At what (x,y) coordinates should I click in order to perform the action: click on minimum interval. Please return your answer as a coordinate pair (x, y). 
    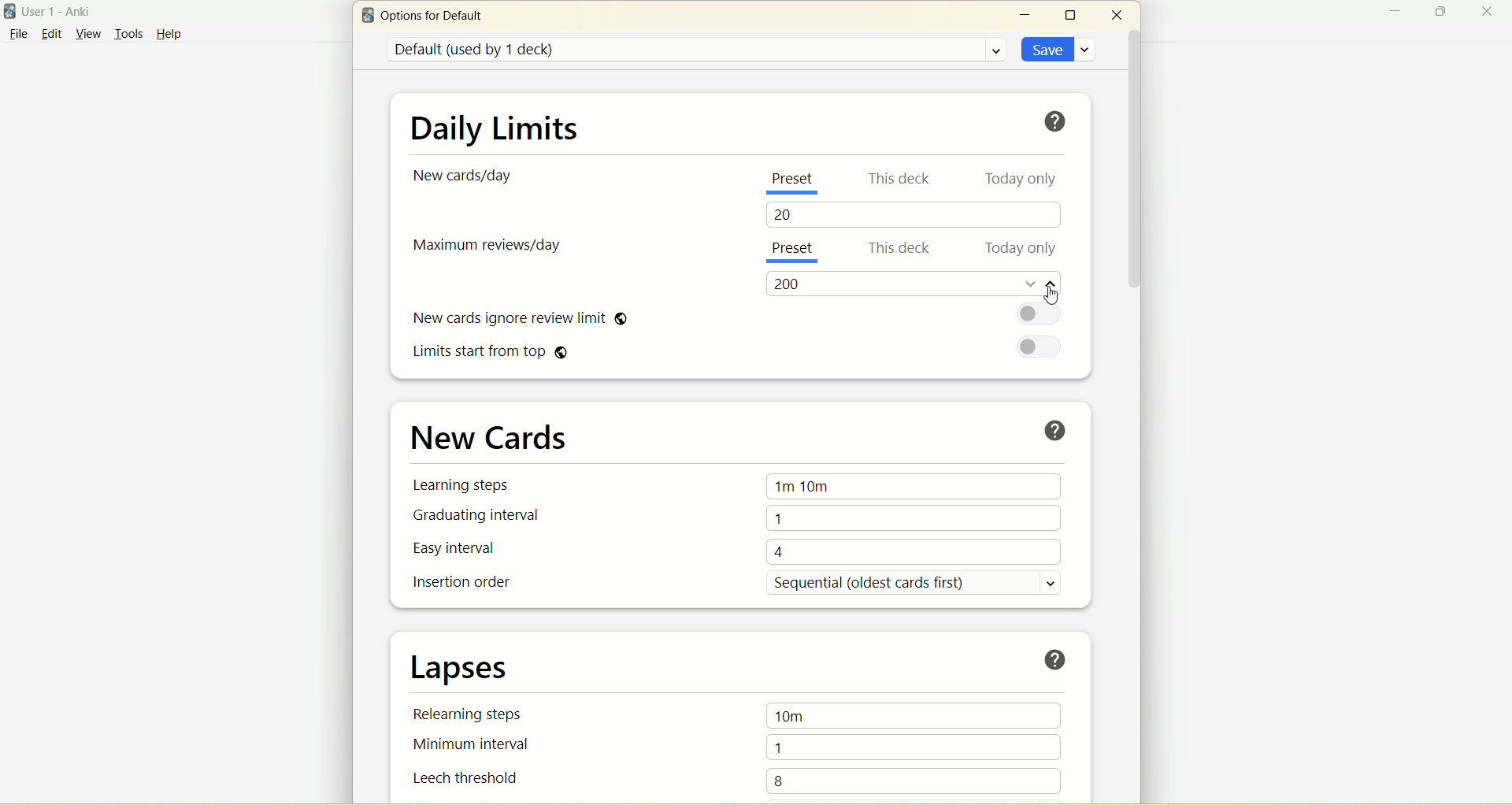
    Looking at the image, I should click on (465, 745).